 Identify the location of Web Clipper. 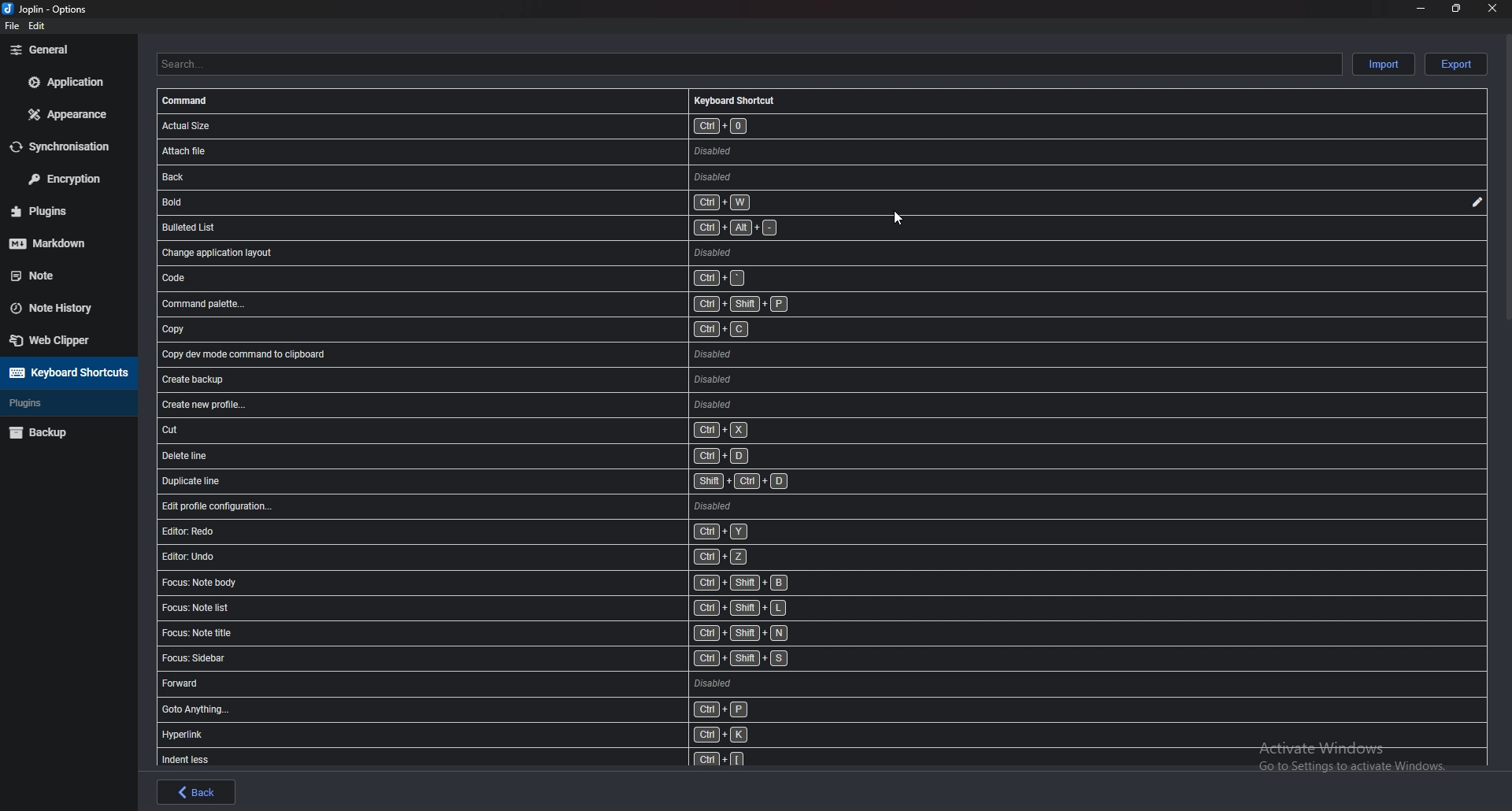
(66, 340).